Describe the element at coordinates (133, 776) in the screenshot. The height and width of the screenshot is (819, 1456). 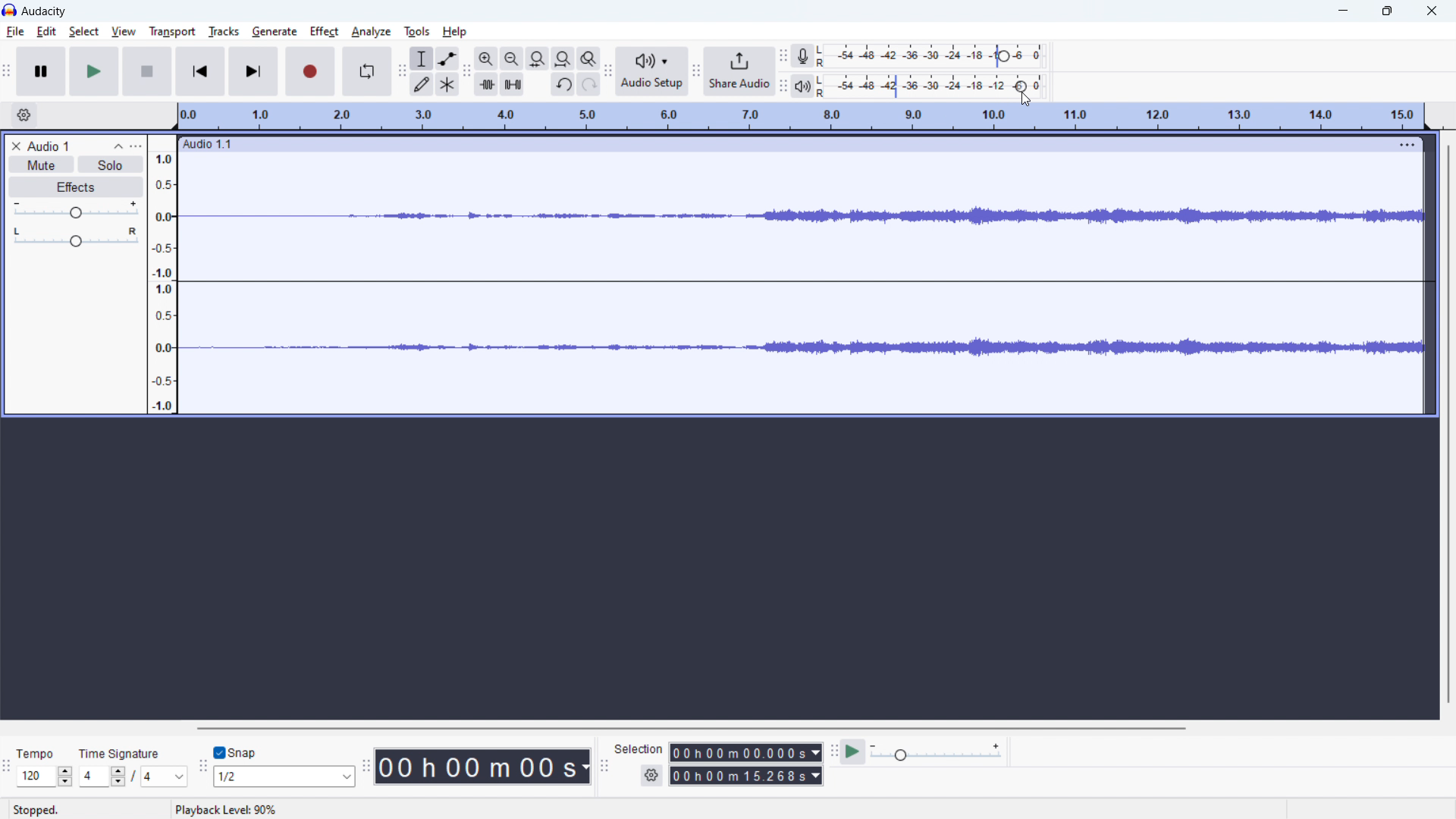
I see `time signature` at that location.